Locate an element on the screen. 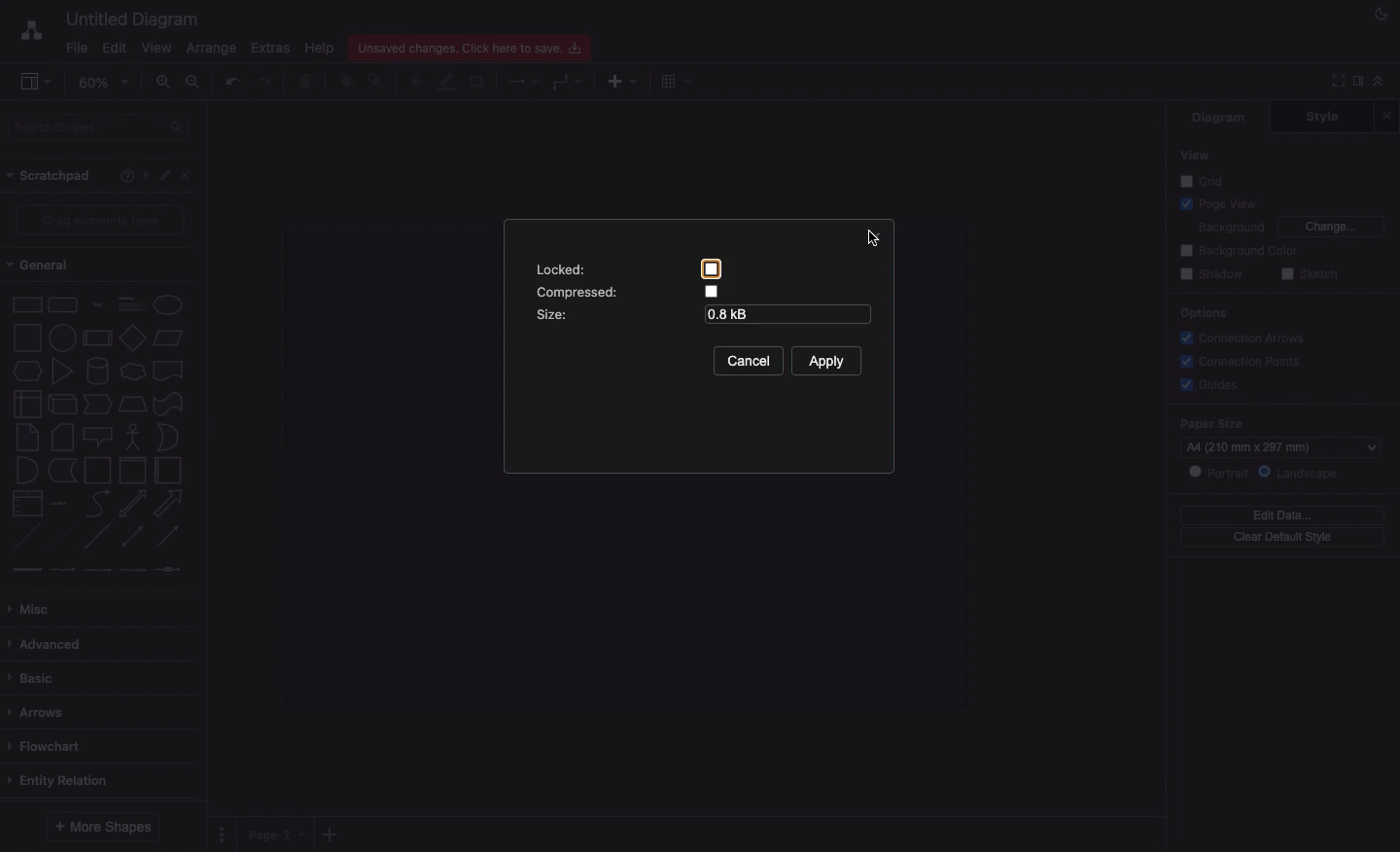 The width and height of the screenshot is (1400, 852). Scratchpad is located at coordinates (51, 175).